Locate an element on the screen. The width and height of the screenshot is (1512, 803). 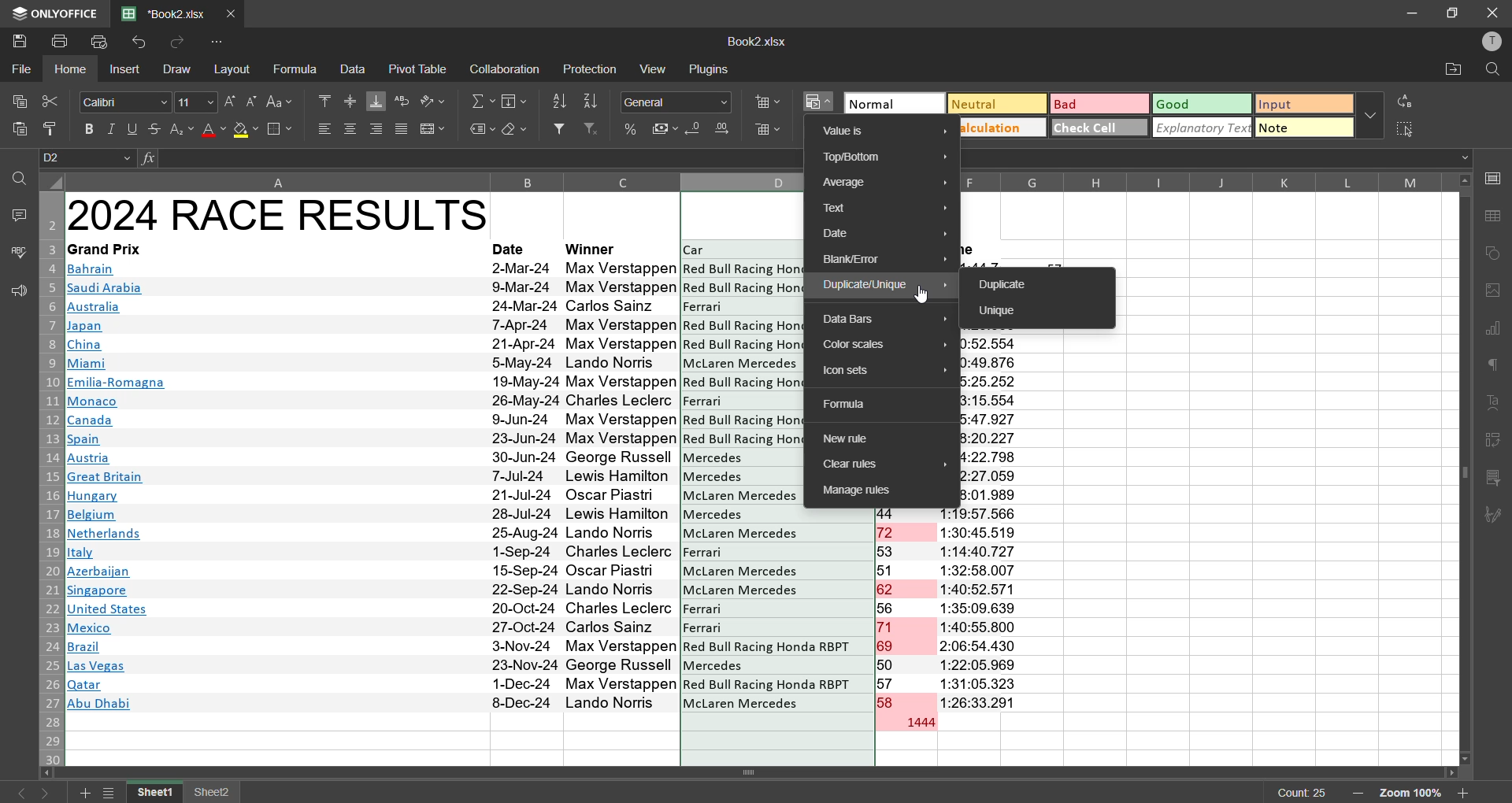
note is located at coordinates (1304, 129).